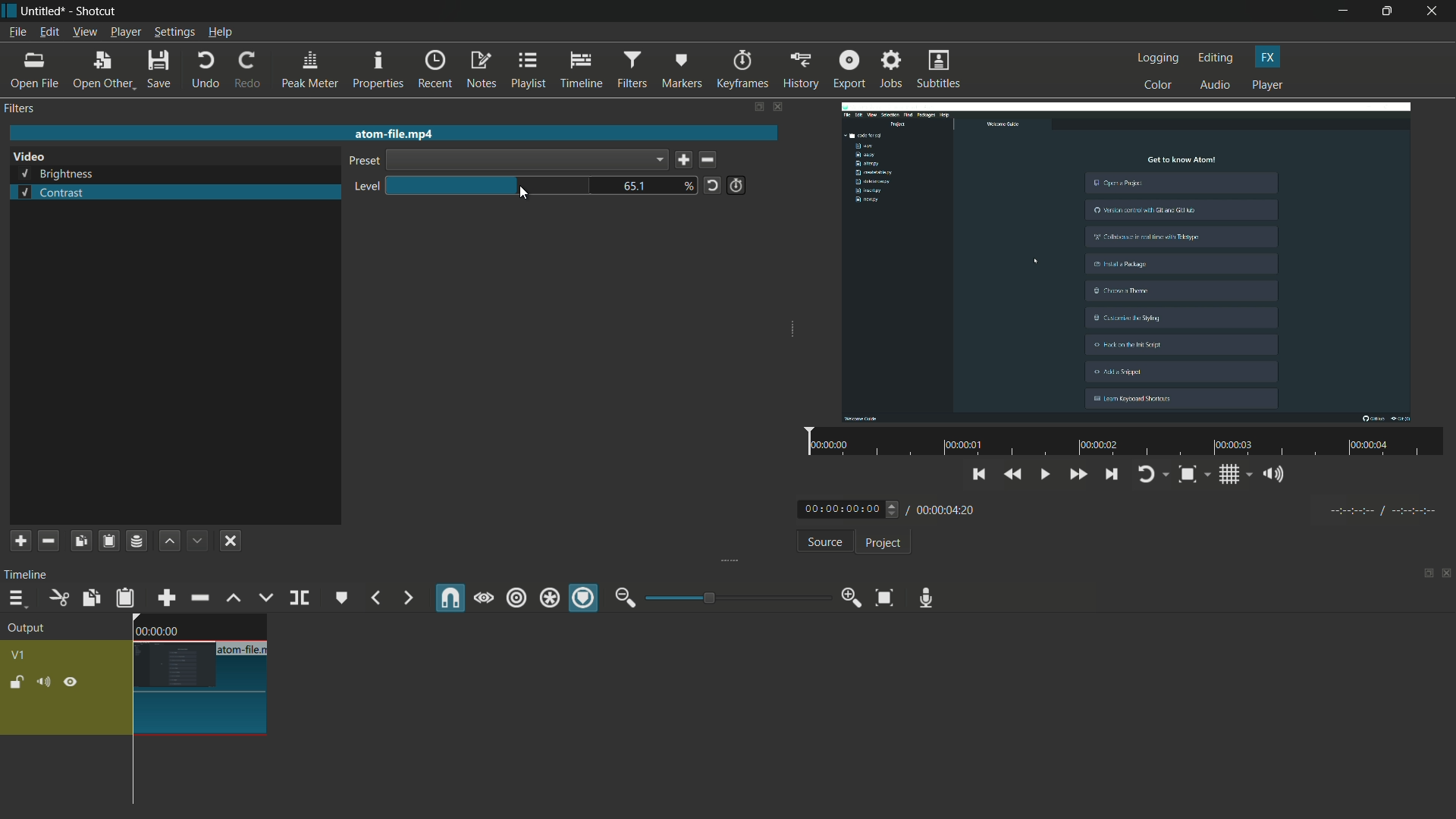  What do you see at coordinates (301, 599) in the screenshot?
I see `split at playhead` at bounding box center [301, 599].